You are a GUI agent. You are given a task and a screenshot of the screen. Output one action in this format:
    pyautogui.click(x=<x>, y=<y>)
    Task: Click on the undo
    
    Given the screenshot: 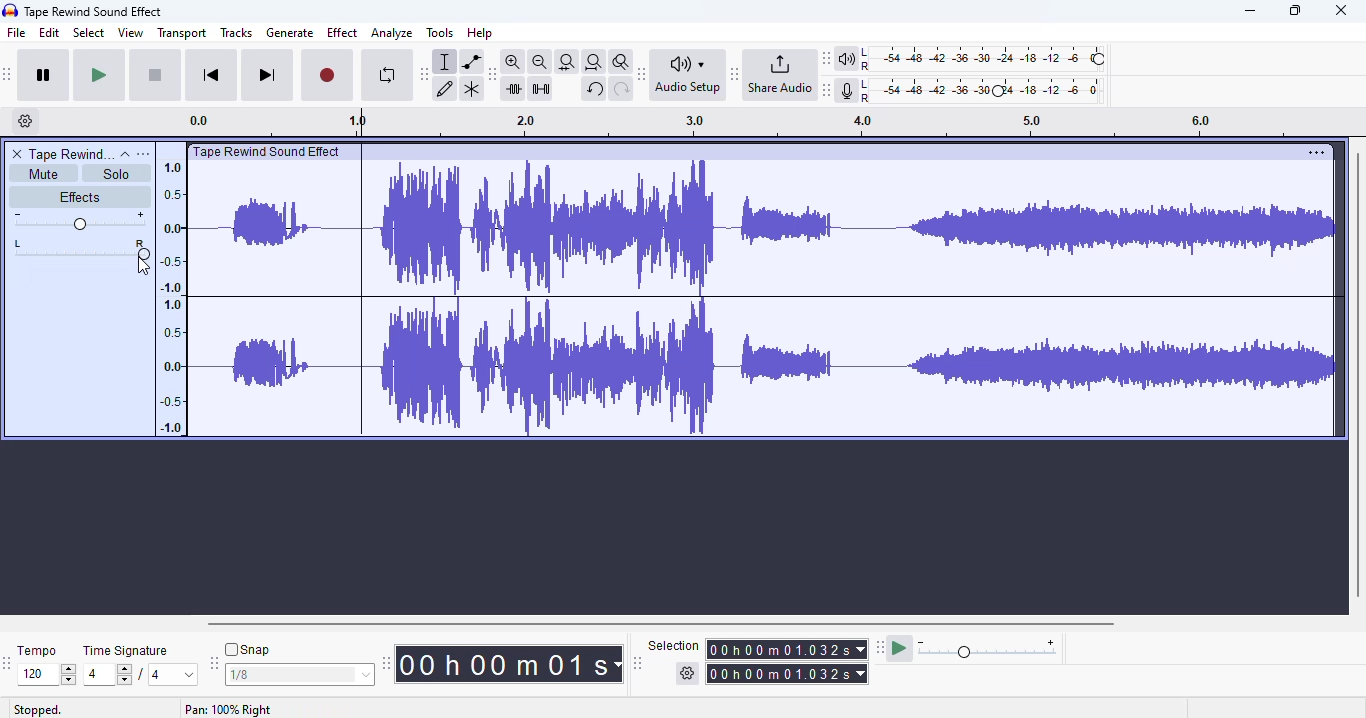 What is the action you would take?
    pyautogui.click(x=594, y=89)
    